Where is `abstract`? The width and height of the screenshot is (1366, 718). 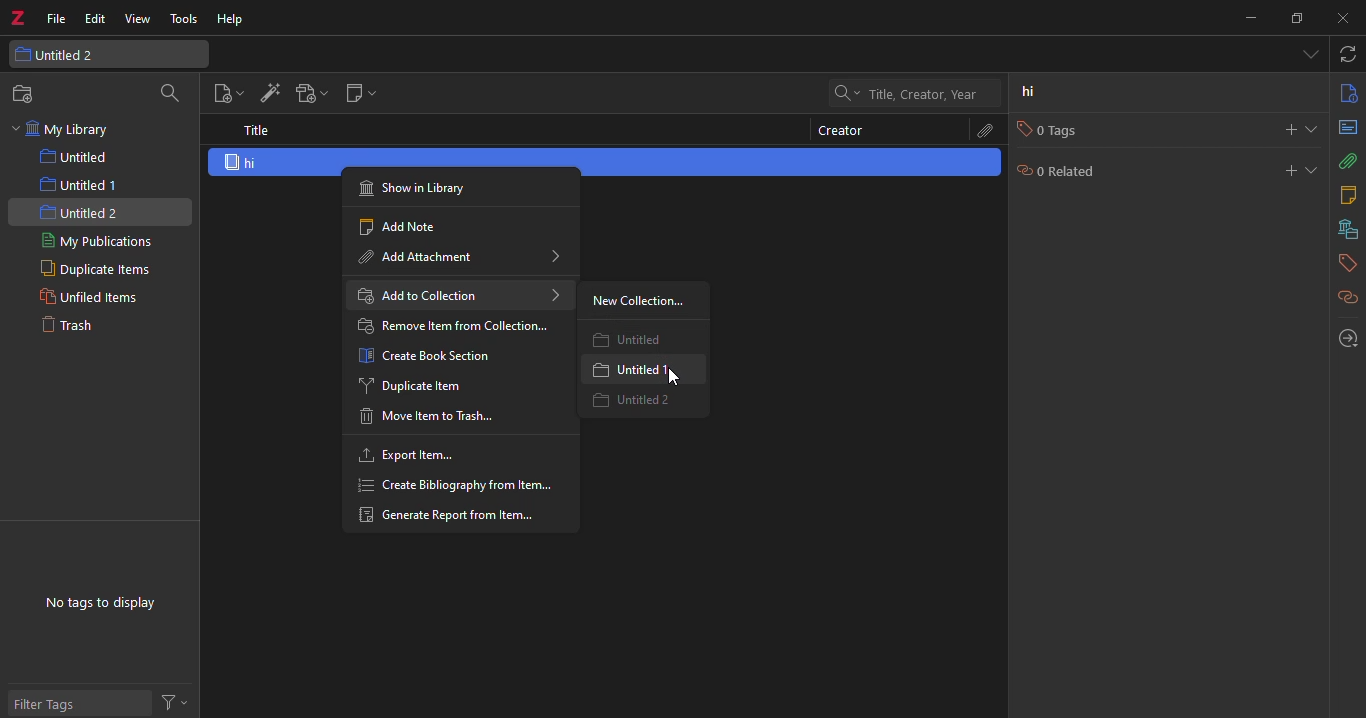
abstract is located at coordinates (1346, 127).